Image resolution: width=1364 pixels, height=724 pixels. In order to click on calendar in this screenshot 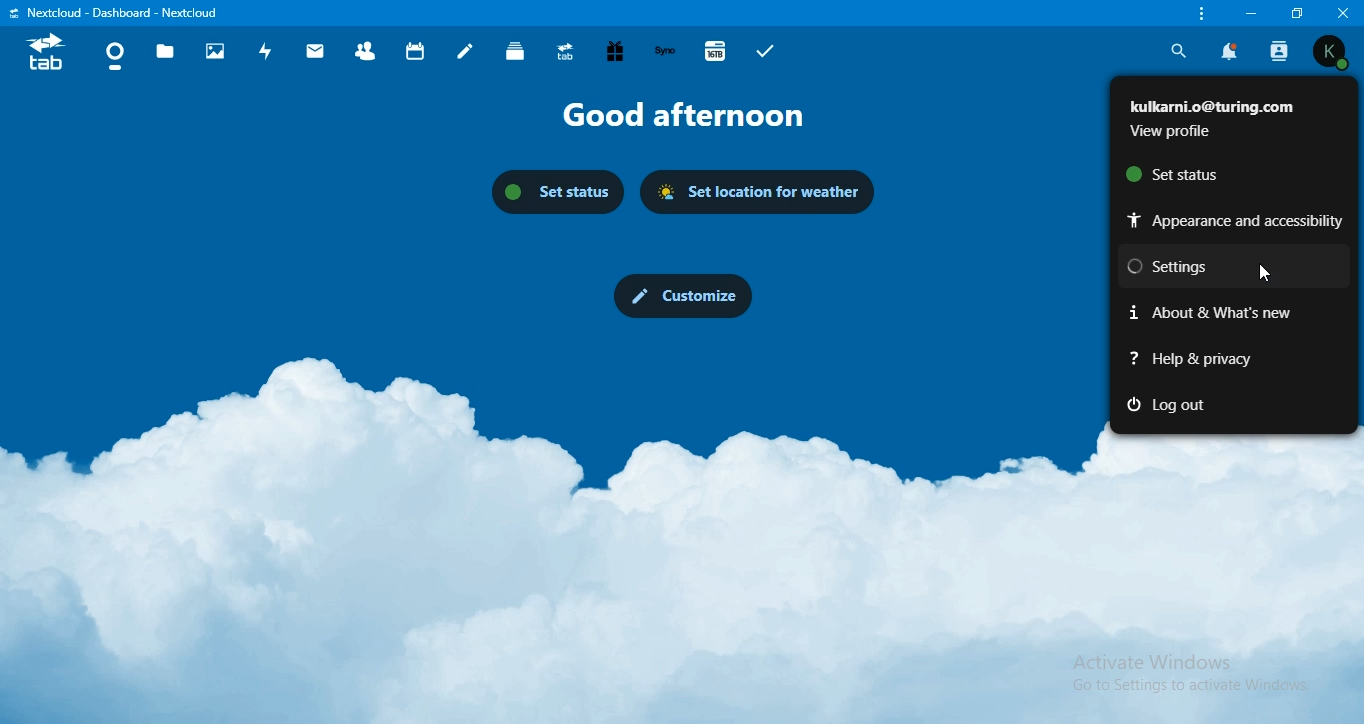, I will do `click(416, 50)`.